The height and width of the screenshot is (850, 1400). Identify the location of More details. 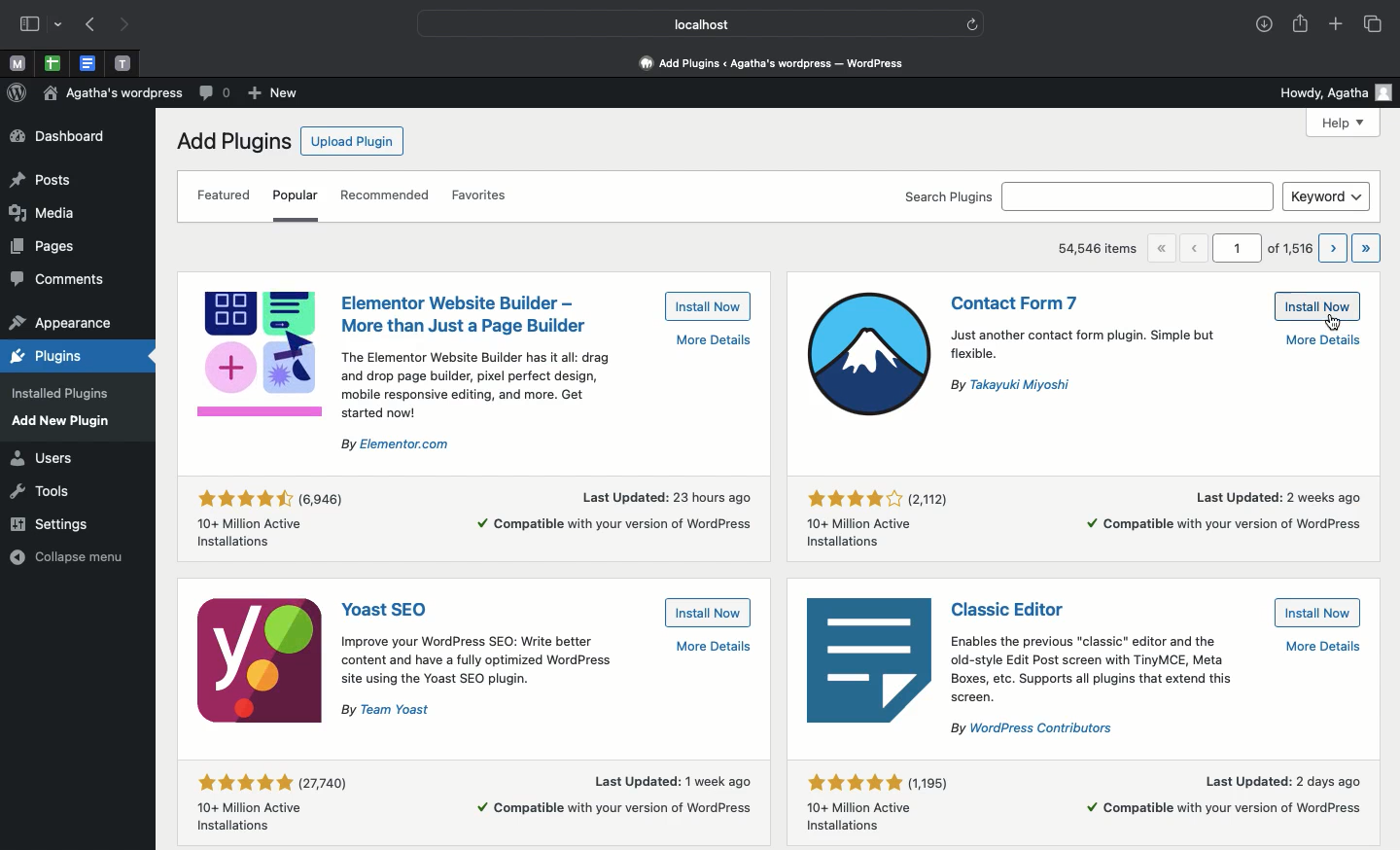
(707, 341).